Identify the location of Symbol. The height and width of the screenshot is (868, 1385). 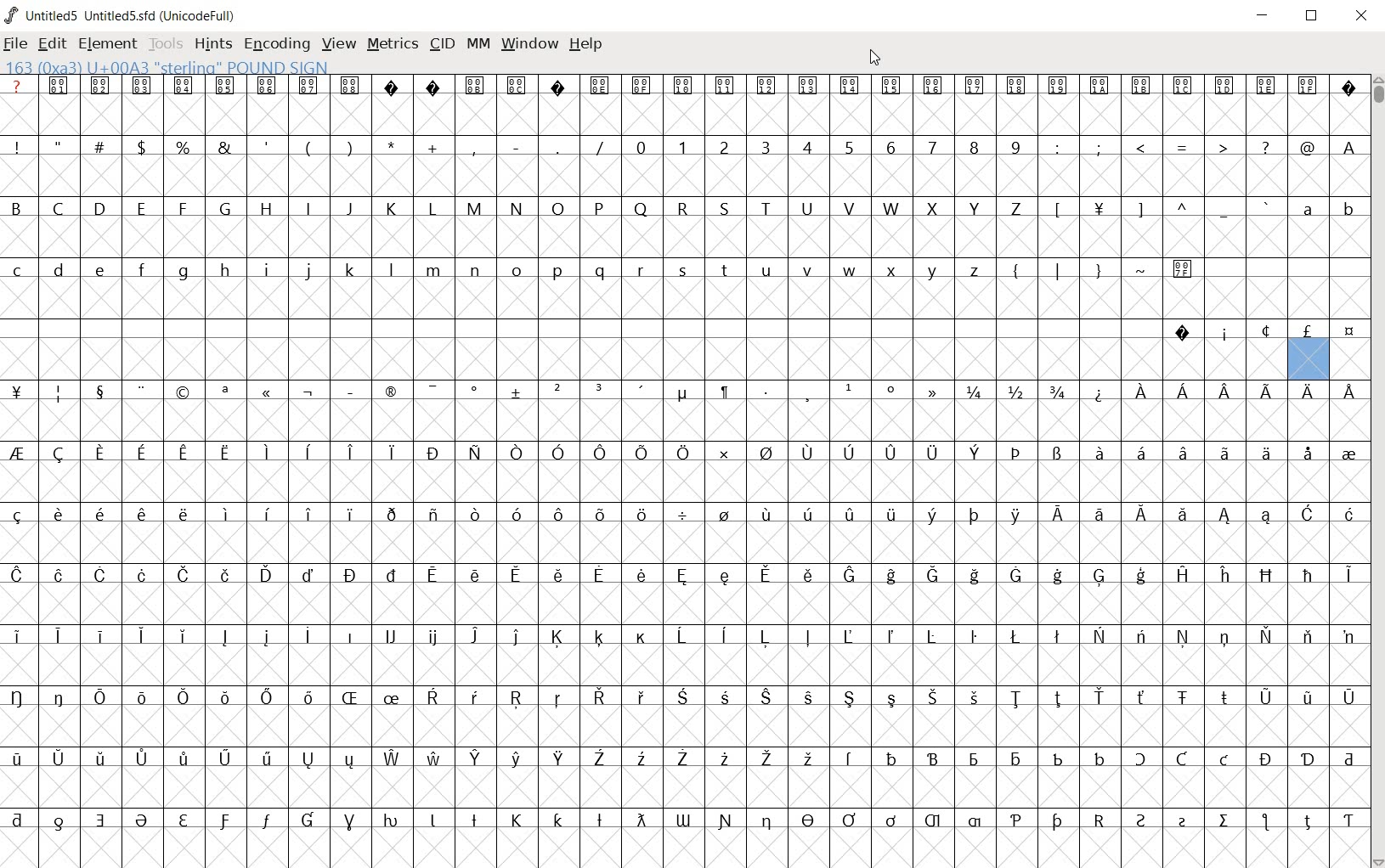
(392, 759).